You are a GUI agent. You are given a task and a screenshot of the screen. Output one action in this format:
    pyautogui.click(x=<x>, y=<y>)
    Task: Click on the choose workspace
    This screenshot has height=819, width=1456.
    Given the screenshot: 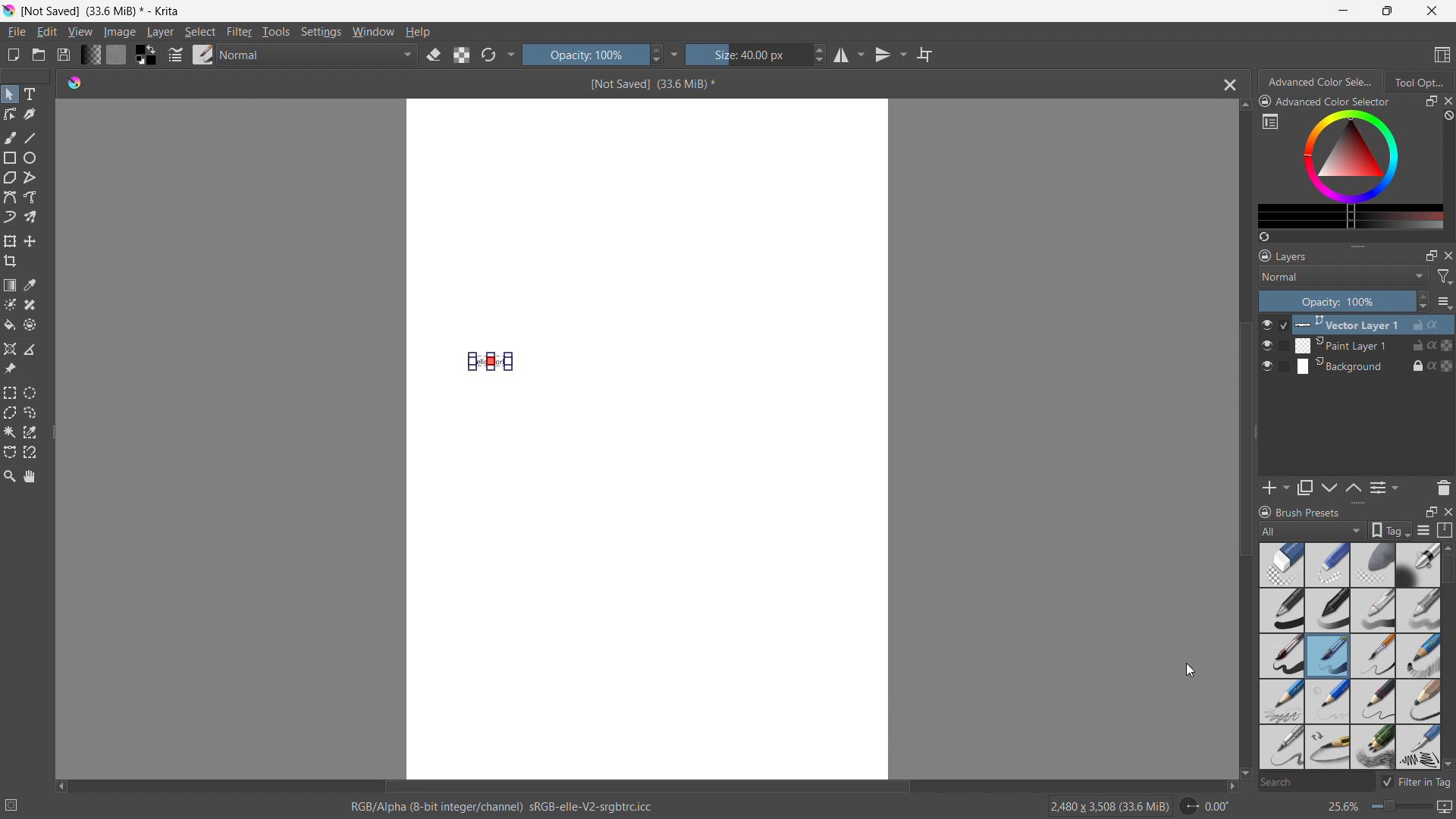 What is the action you would take?
    pyautogui.click(x=1442, y=55)
    